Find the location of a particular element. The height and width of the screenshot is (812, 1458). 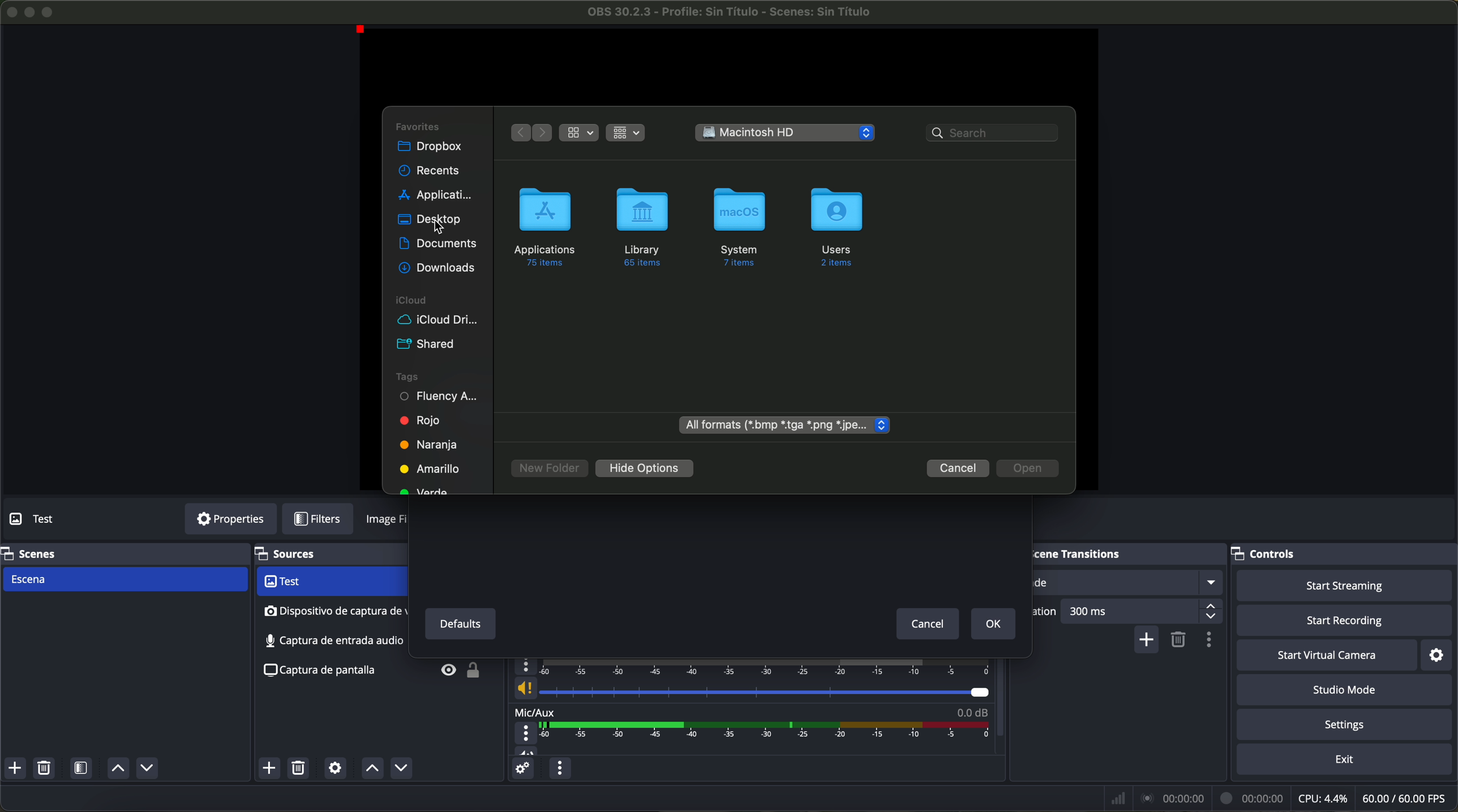

start recording is located at coordinates (1346, 621).